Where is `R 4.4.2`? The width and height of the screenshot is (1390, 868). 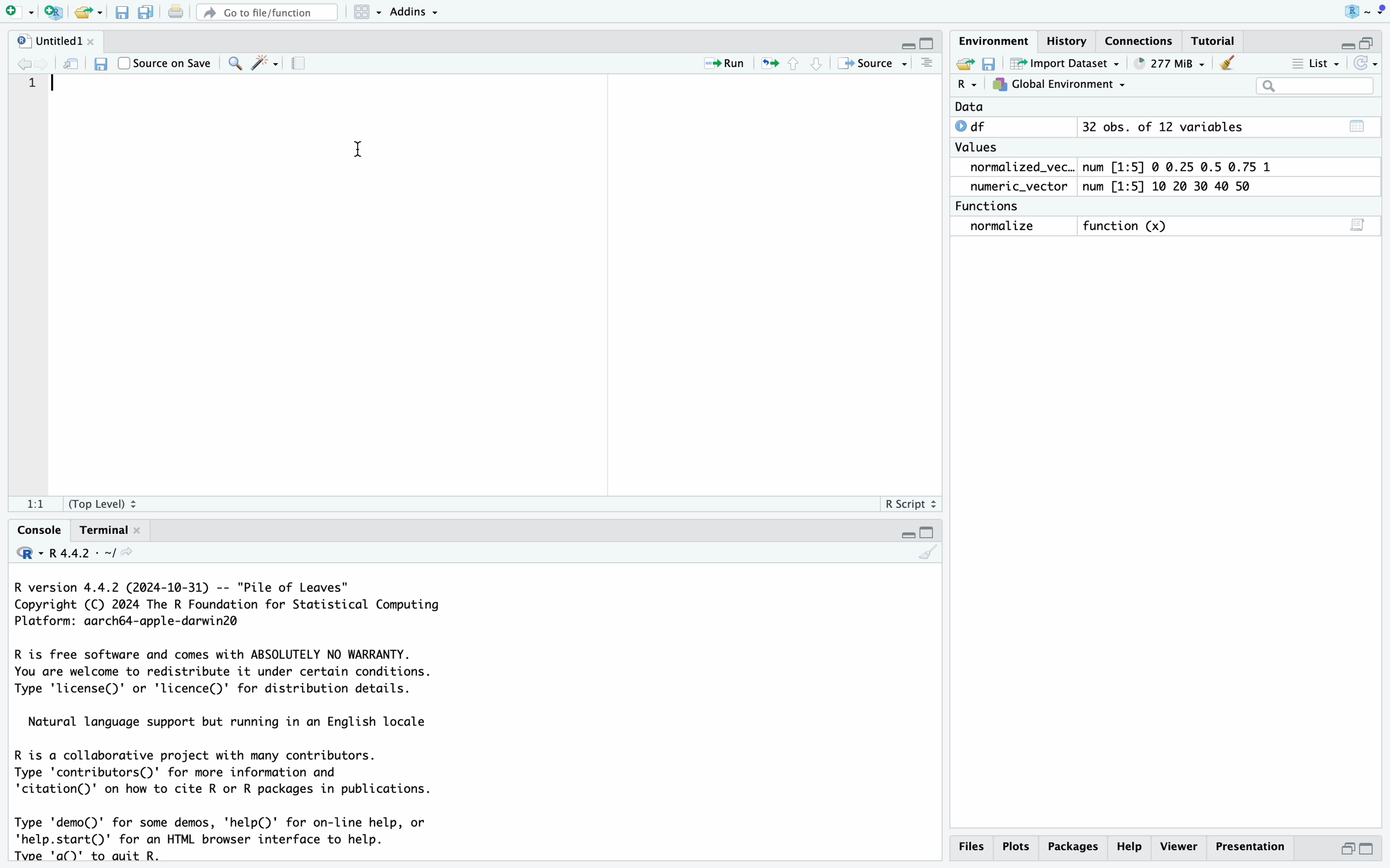
R 4.4.2 is located at coordinates (75, 555).